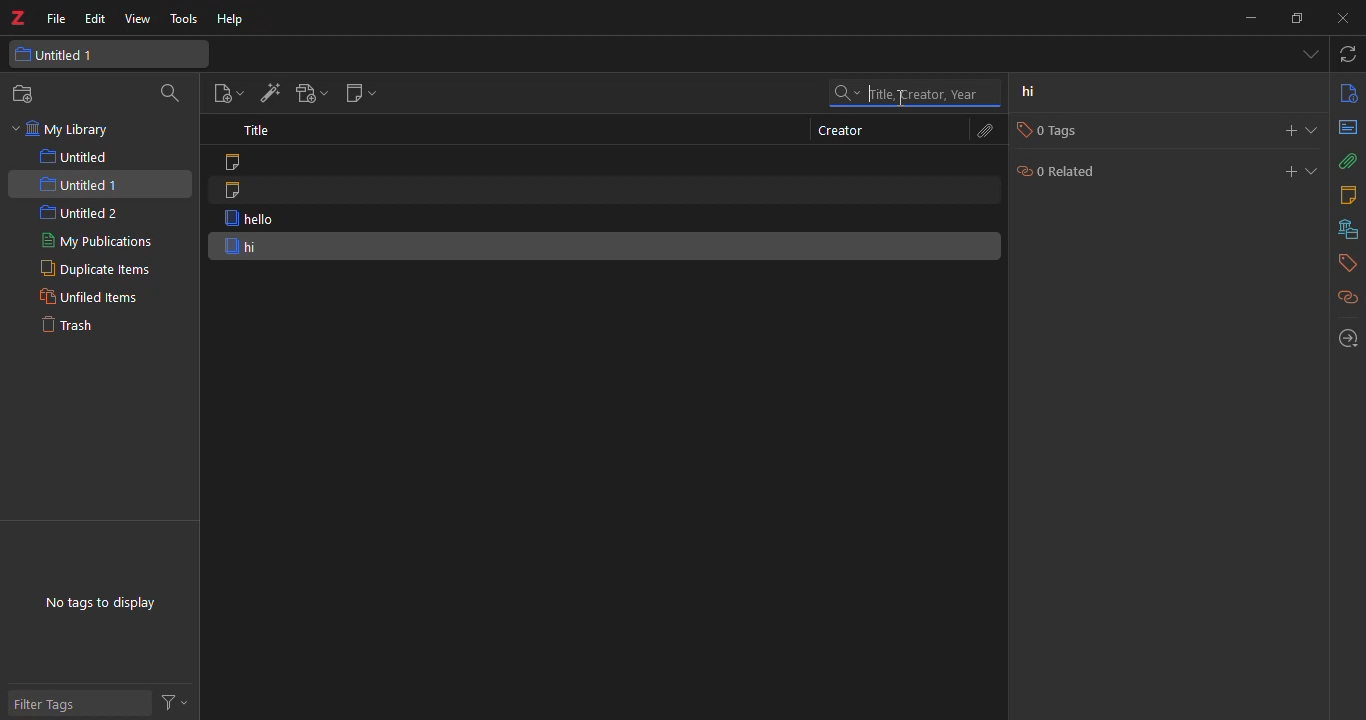 The height and width of the screenshot is (720, 1366). What do you see at coordinates (28, 94) in the screenshot?
I see `new collection` at bounding box center [28, 94].